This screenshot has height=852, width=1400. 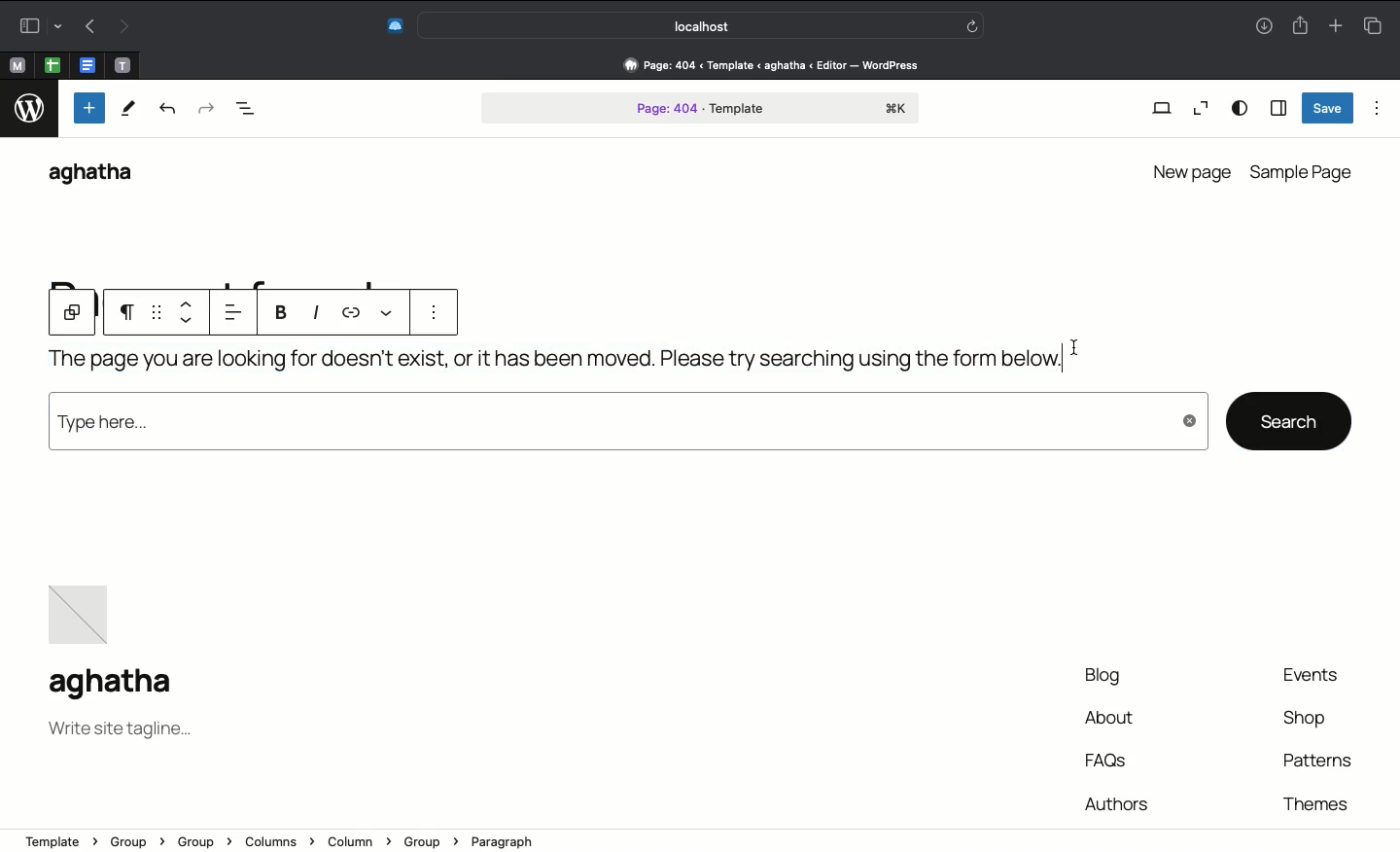 What do you see at coordinates (90, 25) in the screenshot?
I see `Undo` at bounding box center [90, 25].